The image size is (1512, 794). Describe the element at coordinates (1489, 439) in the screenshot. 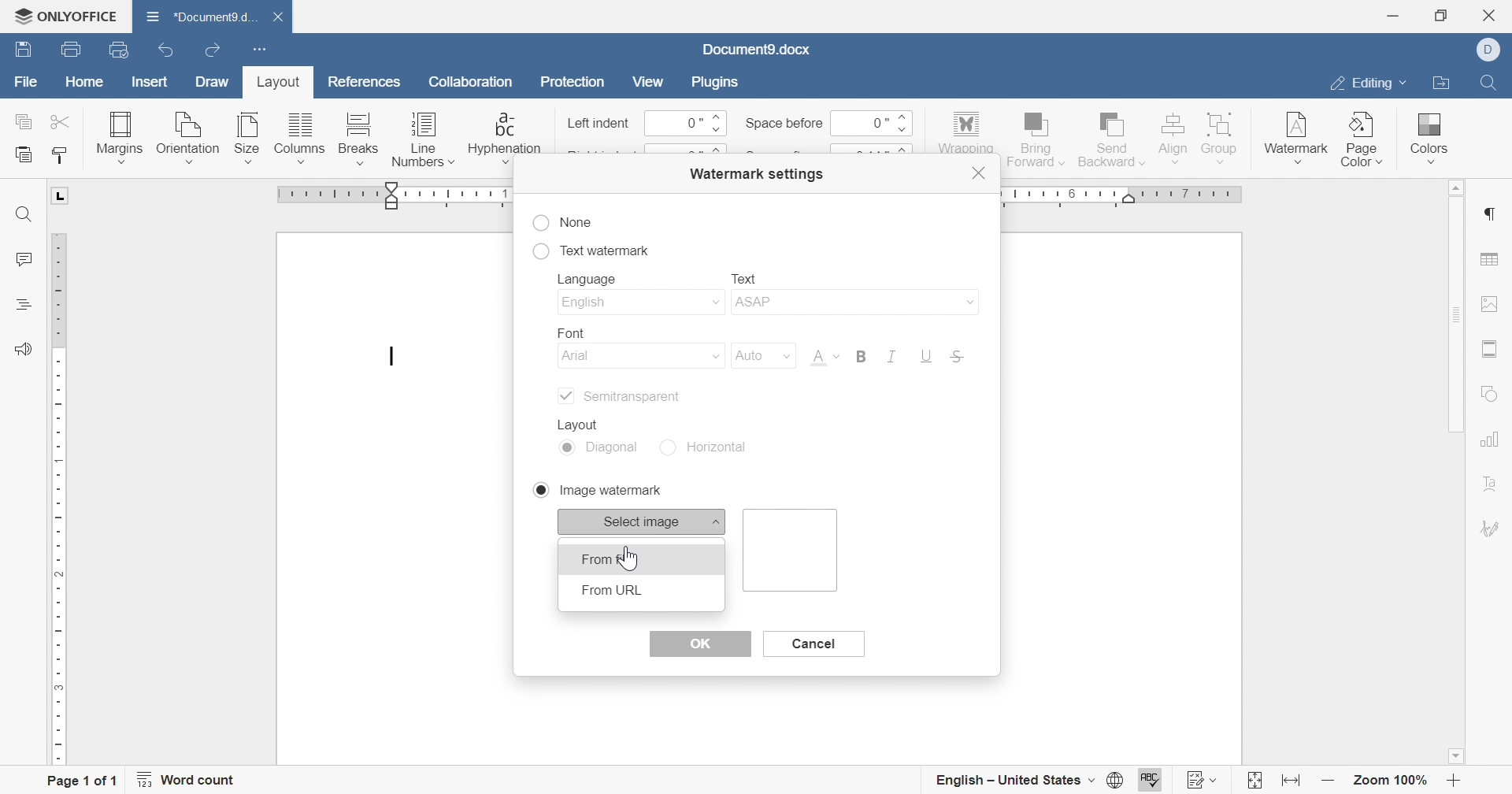

I see `chart settings` at that location.